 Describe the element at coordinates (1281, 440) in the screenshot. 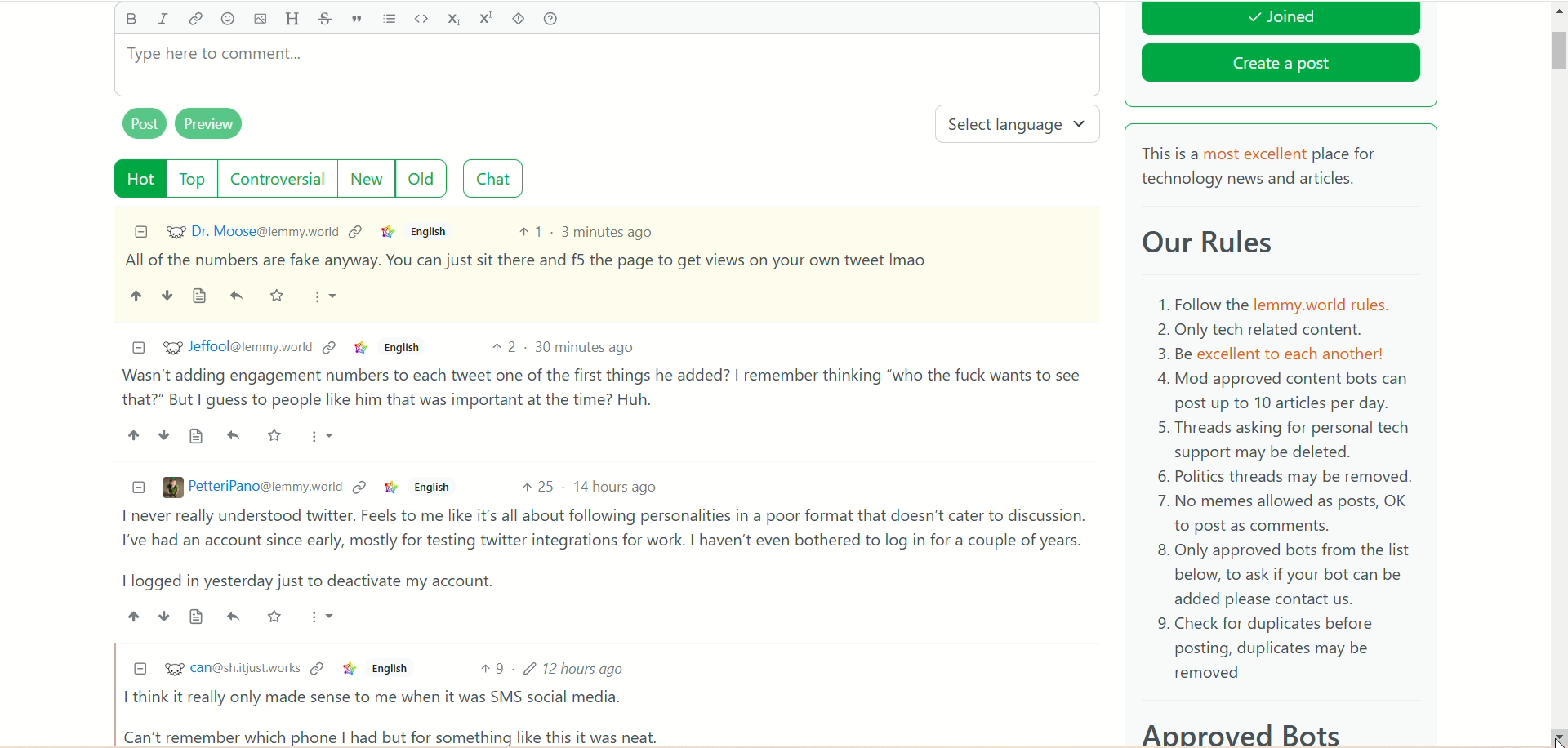

I see `This is a most excellent place for
technology news and articles.
Our Rules

1. Follow the lemmy.world rules.

2. Only tech related content.

3. Be excellent to each another!

4. Mod approved content bots can
post up to 10 articles per day.

5. Threads asking for personal tech
support may be deleted.

6. Politics threads may be removed.

7. No memes allowed as posts, OK
to post as comments.

8. Only approved bots from the list
below, to ask if your bot can be
added please contact us.

9. Check for duplicates before
posting, duplicates may be
removed

Approved Bots` at that location.